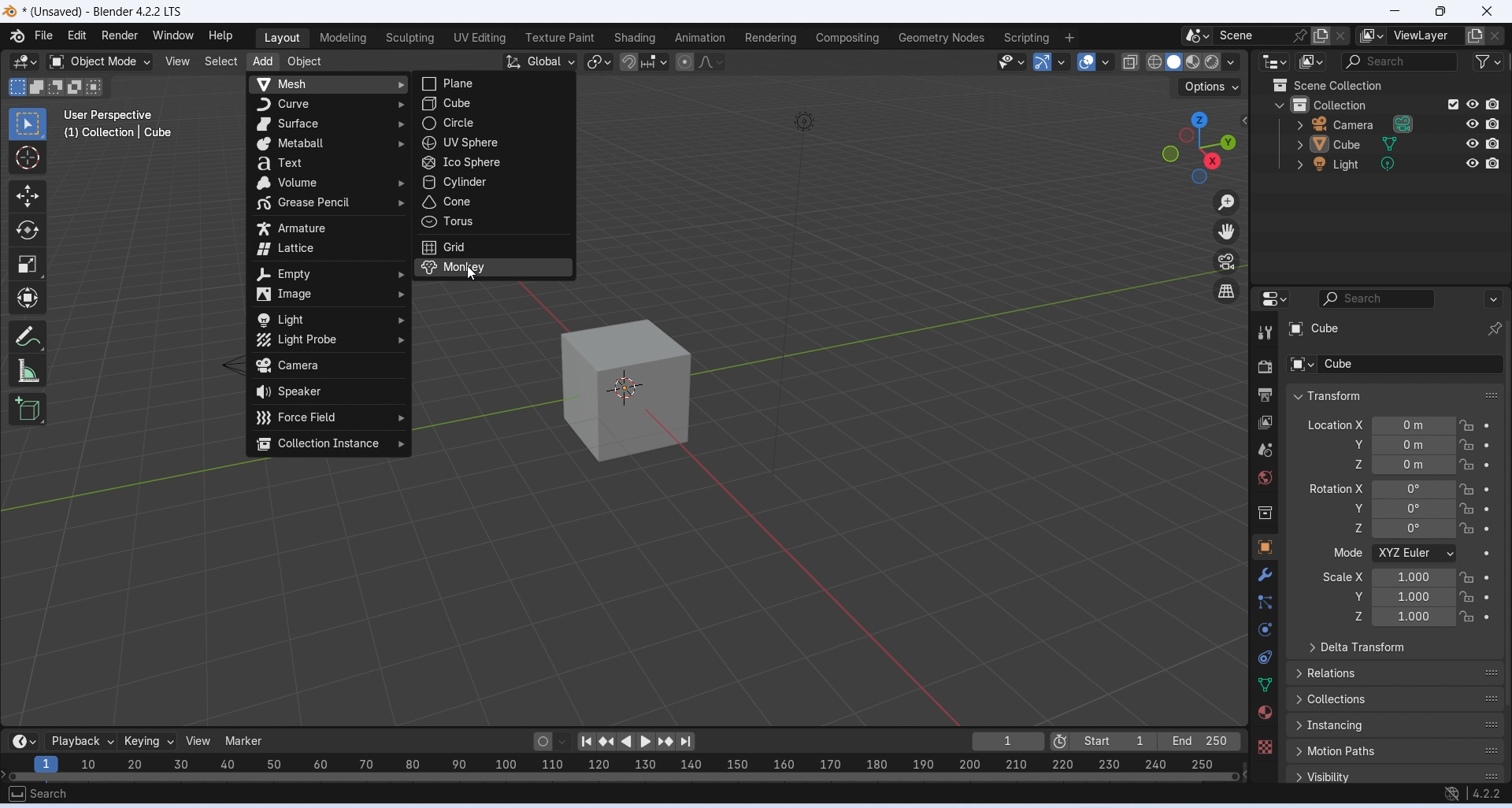 The width and height of the screenshot is (1512, 808). I want to click on Cube layer, so click(1391, 328).